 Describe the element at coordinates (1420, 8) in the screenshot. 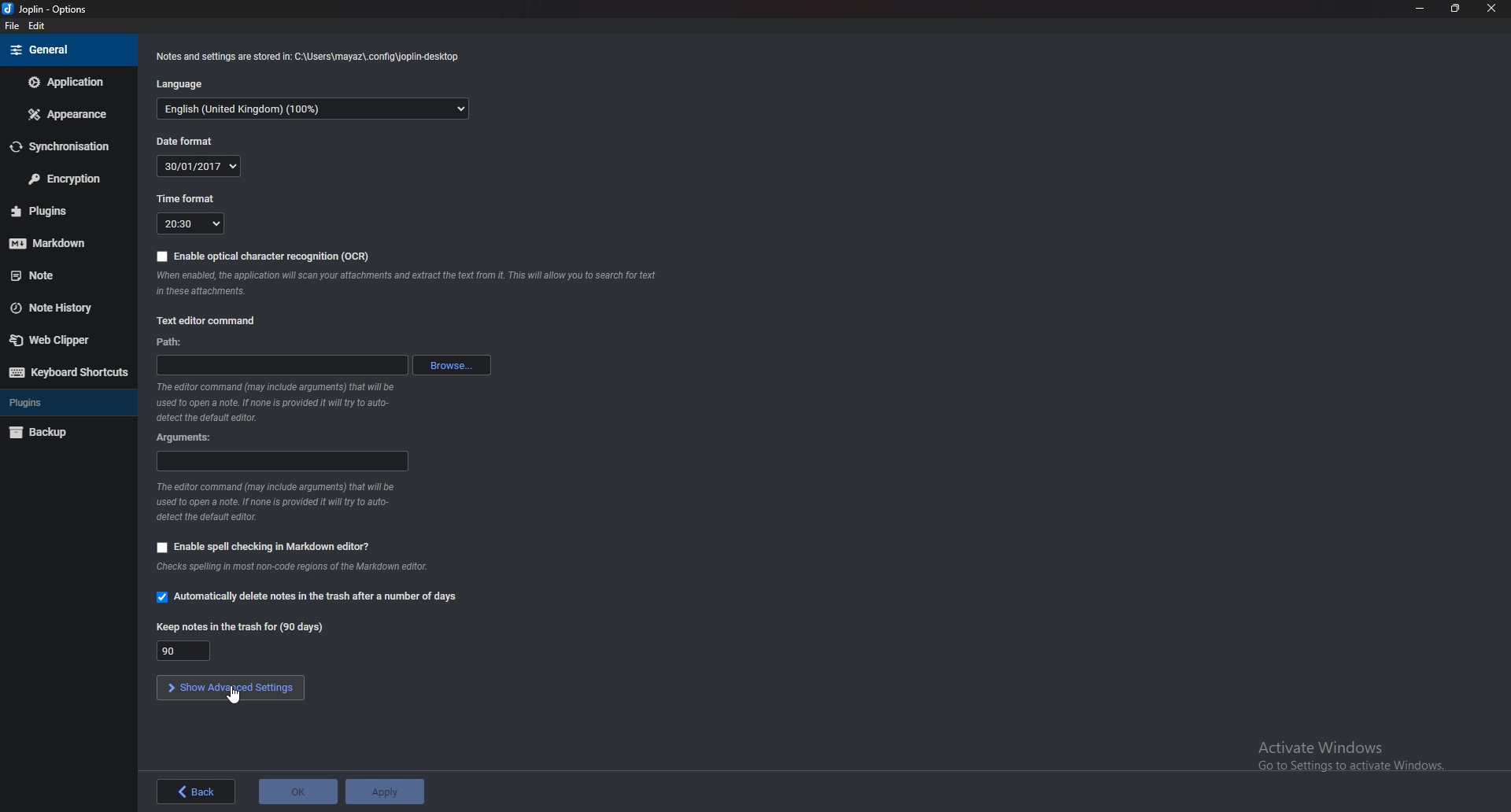

I see `Minimize` at that location.